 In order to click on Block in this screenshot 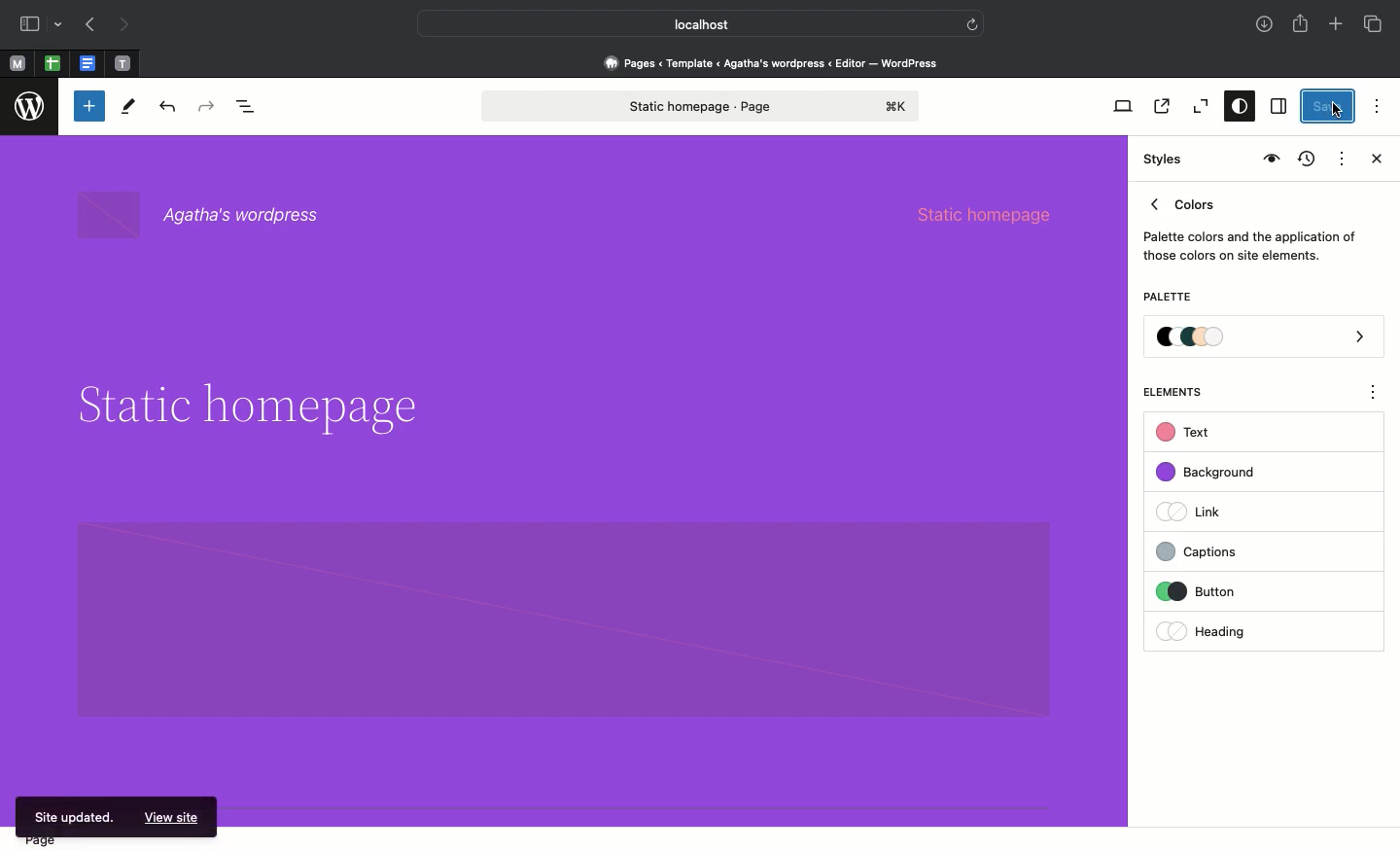, I will do `click(563, 619)`.